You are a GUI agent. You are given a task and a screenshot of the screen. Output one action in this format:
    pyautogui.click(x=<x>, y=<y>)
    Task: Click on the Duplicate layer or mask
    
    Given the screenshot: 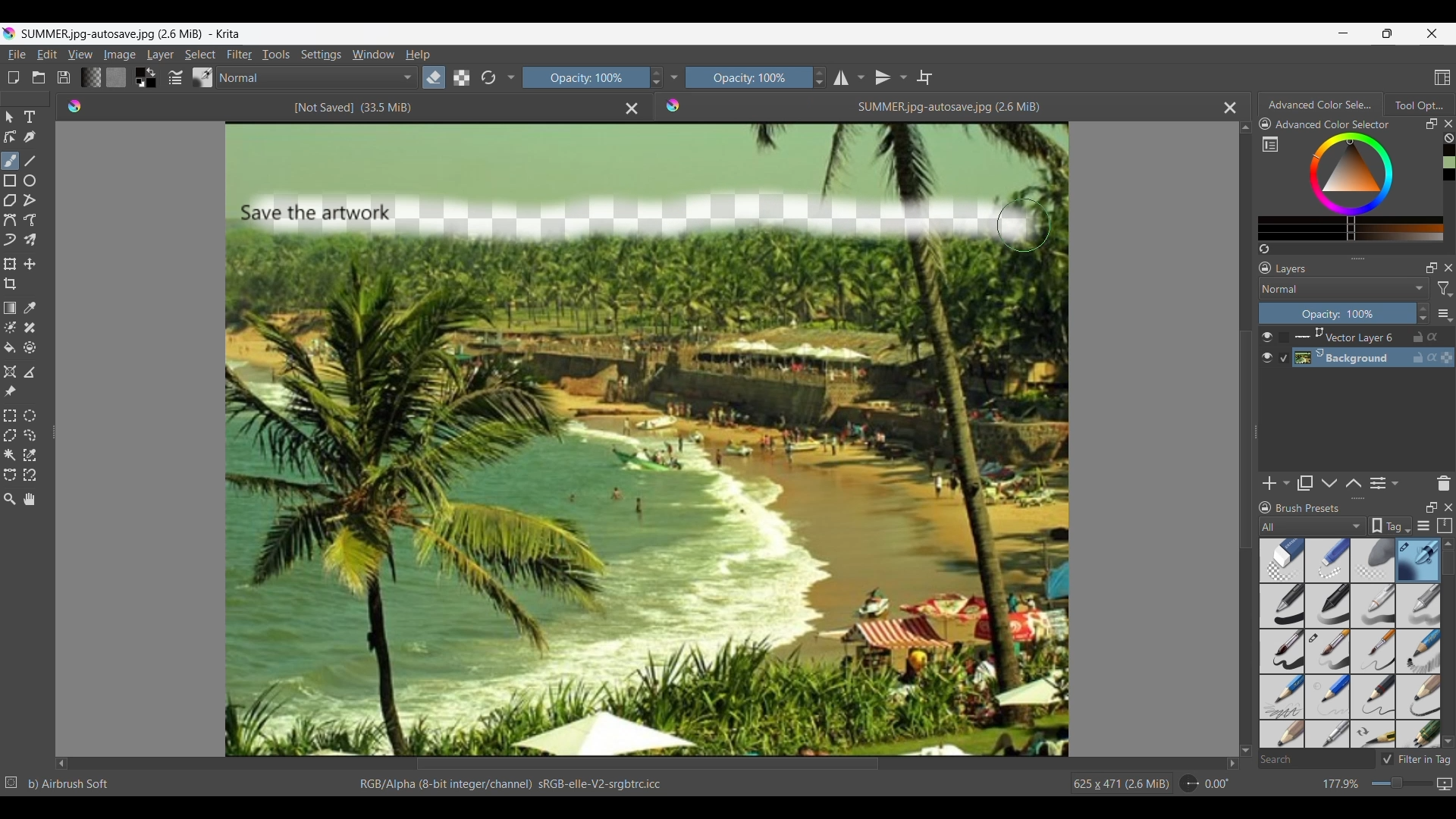 What is the action you would take?
    pyautogui.click(x=1304, y=483)
    